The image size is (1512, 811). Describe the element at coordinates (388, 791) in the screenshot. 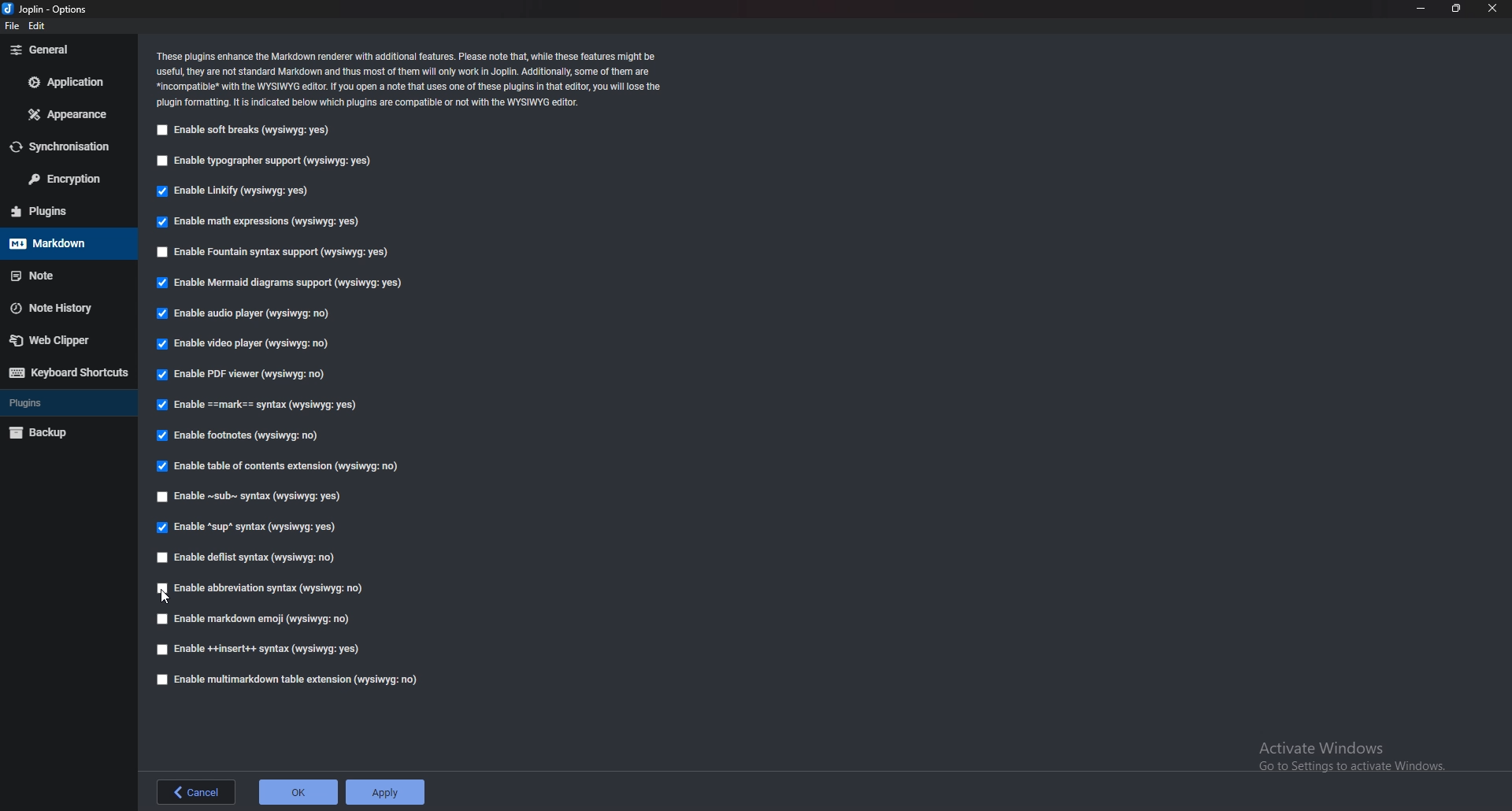

I see `apply` at that location.